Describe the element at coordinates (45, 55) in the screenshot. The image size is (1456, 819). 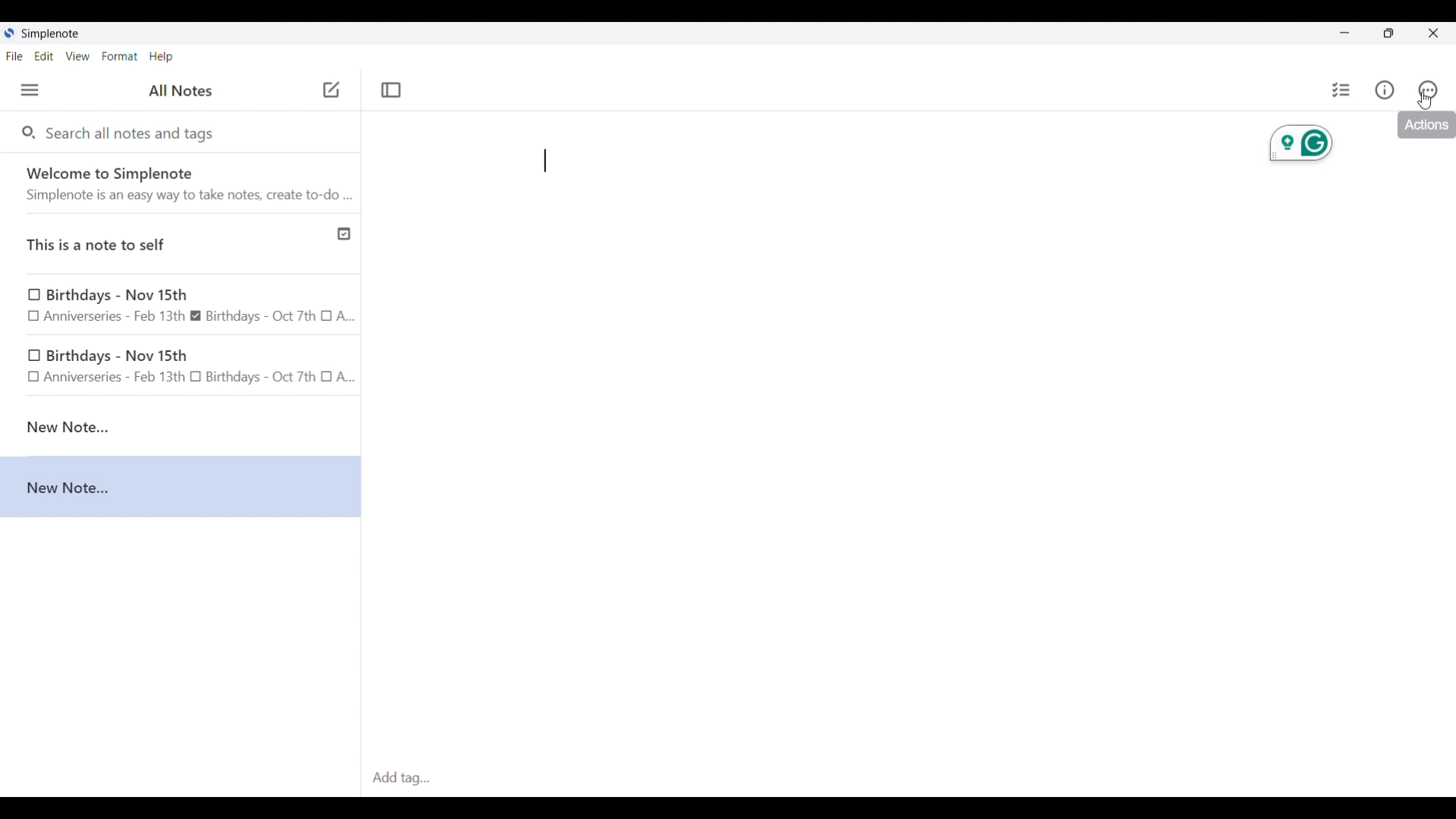
I see `Edit menu` at that location.